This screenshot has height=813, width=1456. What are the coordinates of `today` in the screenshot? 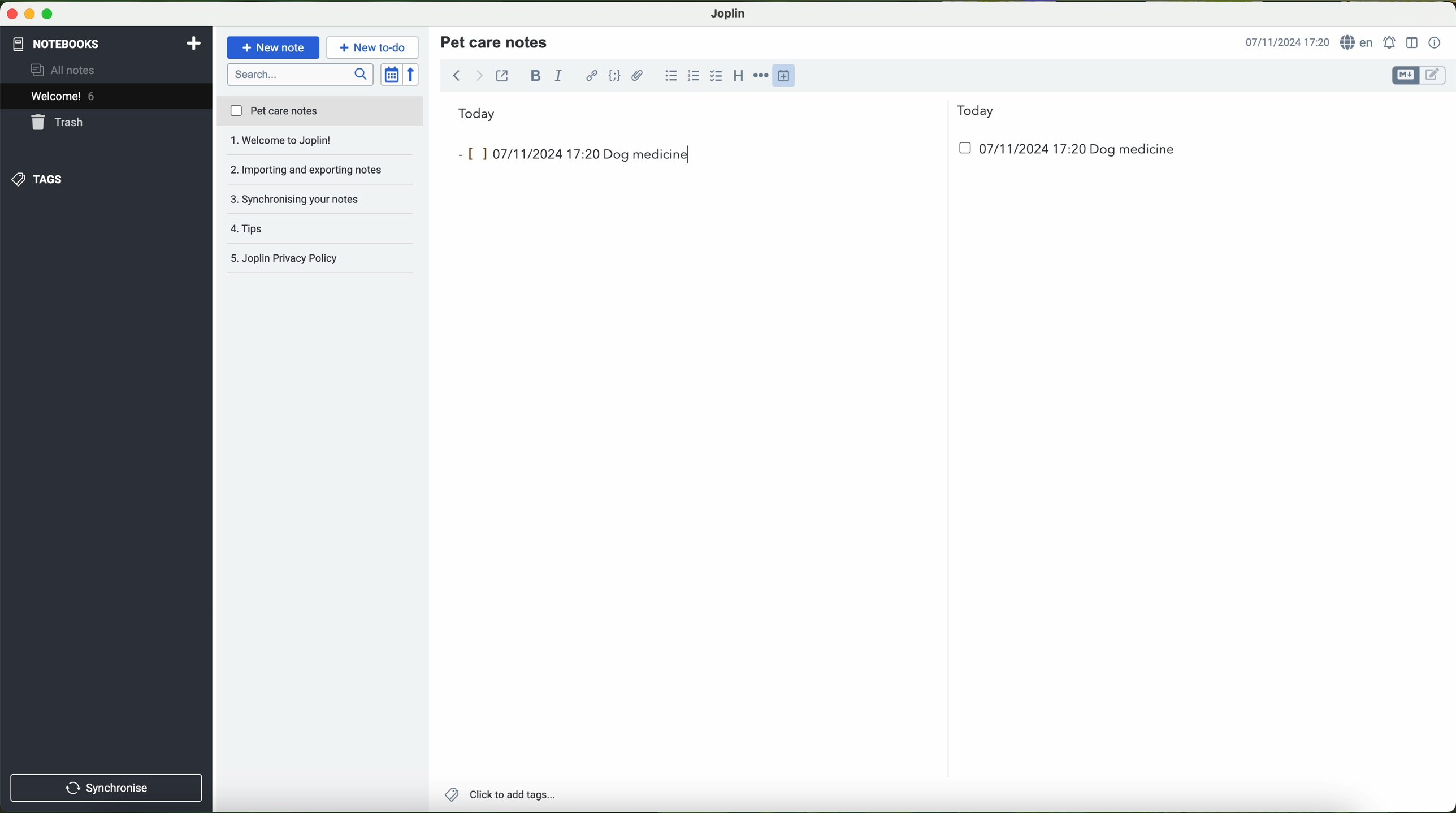 It's located at (726, 112).